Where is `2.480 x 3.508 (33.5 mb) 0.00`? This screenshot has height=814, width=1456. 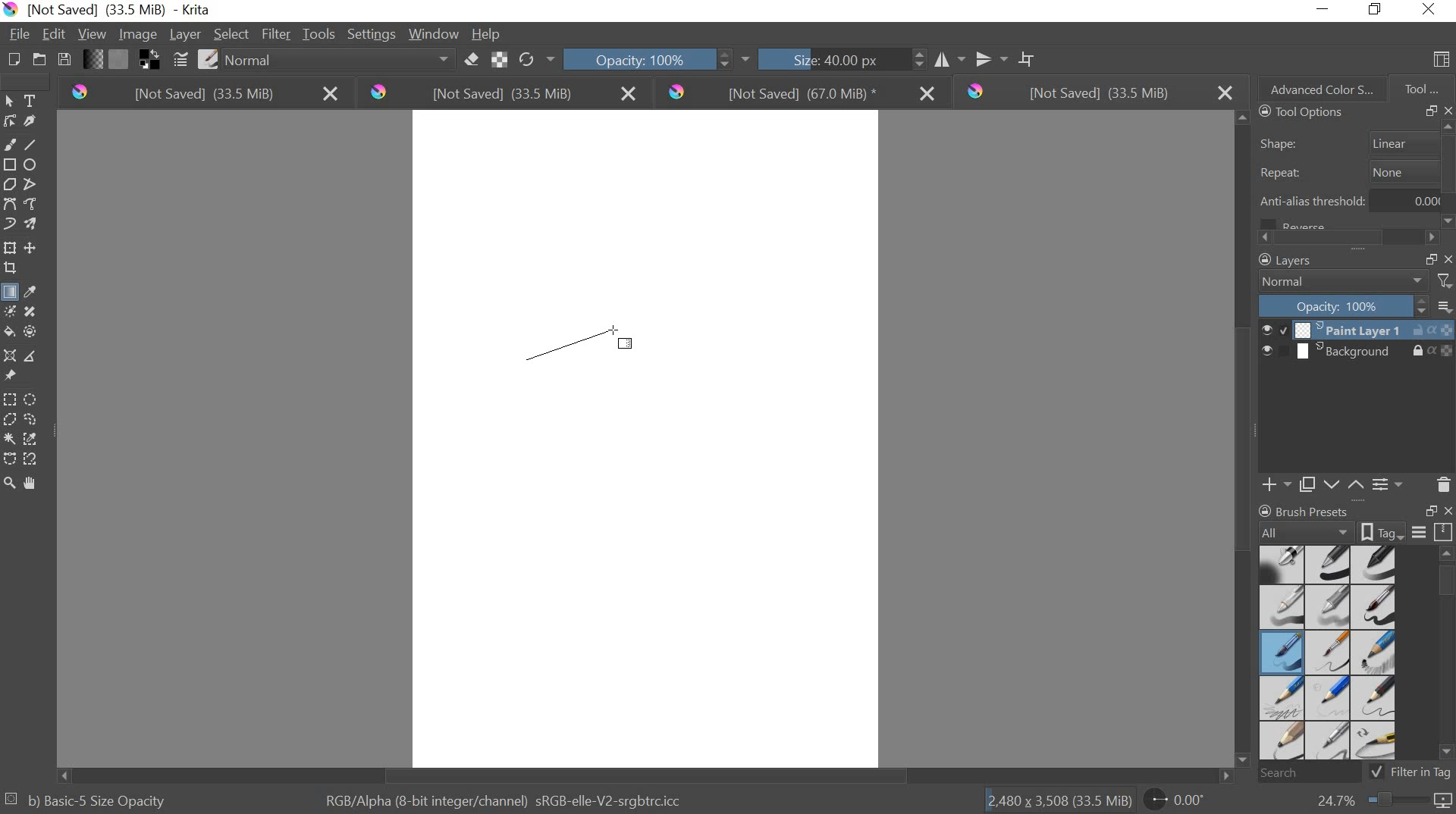
2.480 x 3.508 (33.5 mb) 0.00 is located at coordinates (1098, 797).